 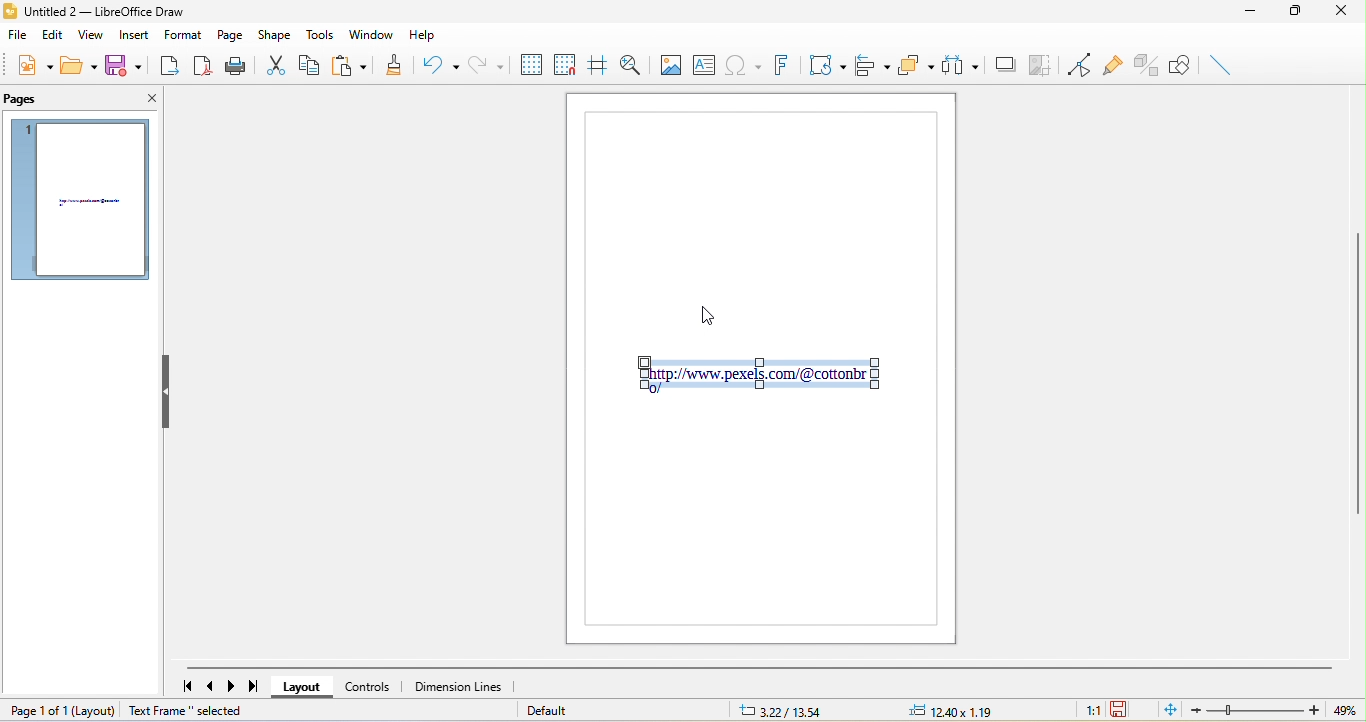 What do you see at coordinates (485, 64) in the screenshot?
I see `redo` at bounding box center [485, 64].